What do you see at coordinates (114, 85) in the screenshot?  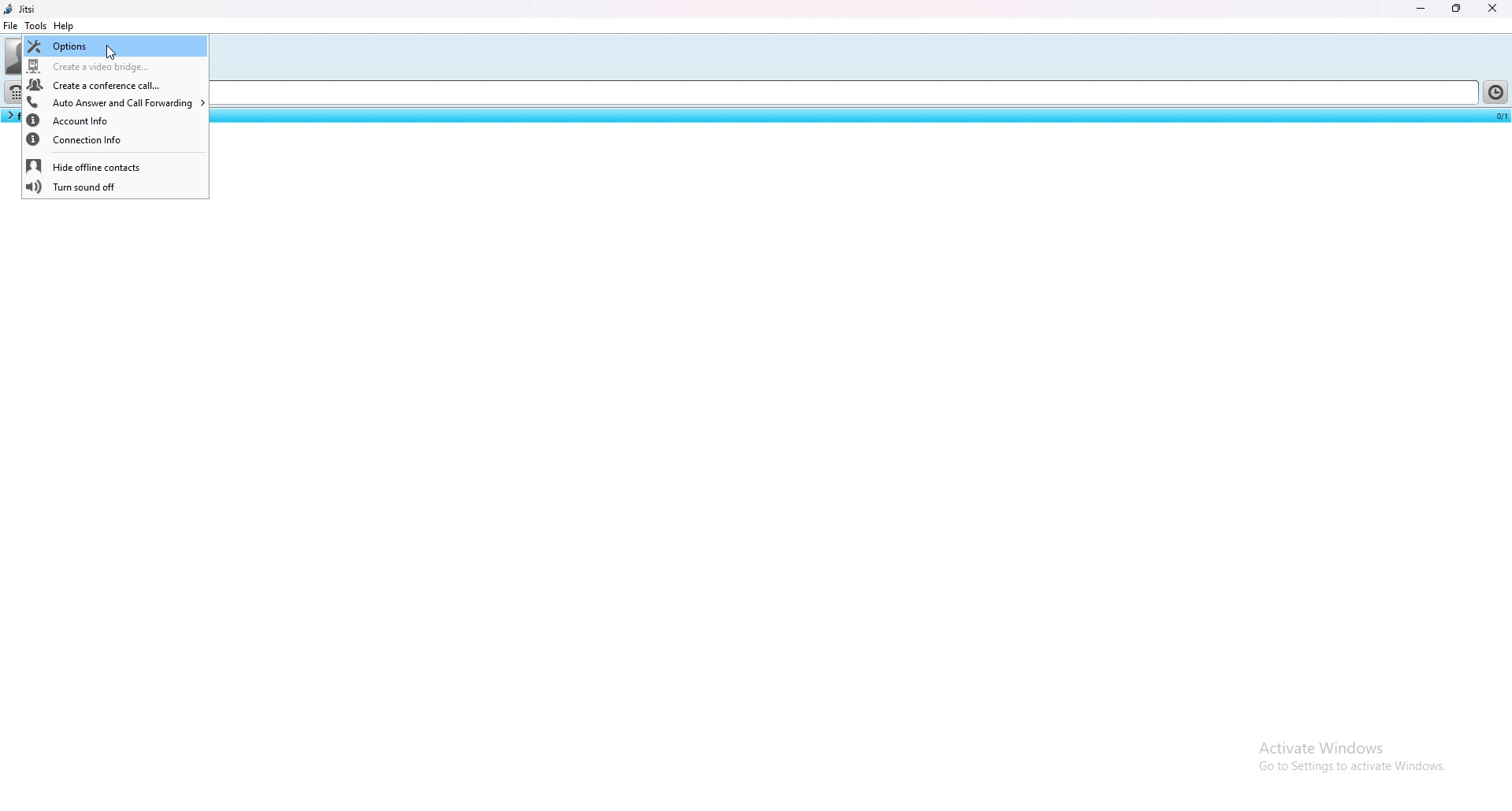 I see `create a conference call` at bounding box center [114, 85].